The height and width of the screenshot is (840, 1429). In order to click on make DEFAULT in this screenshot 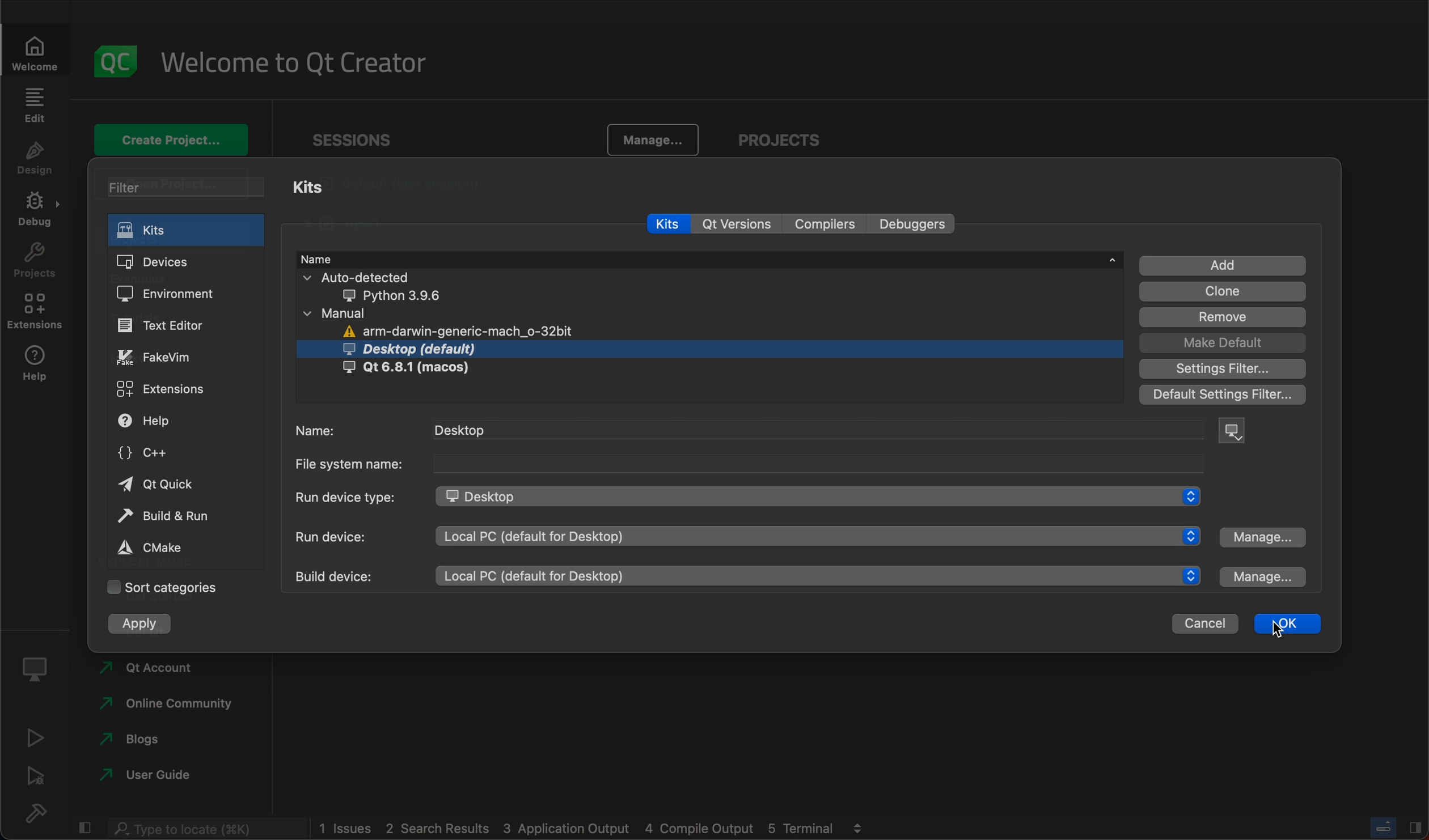, I will do `click(1220, 345)`.